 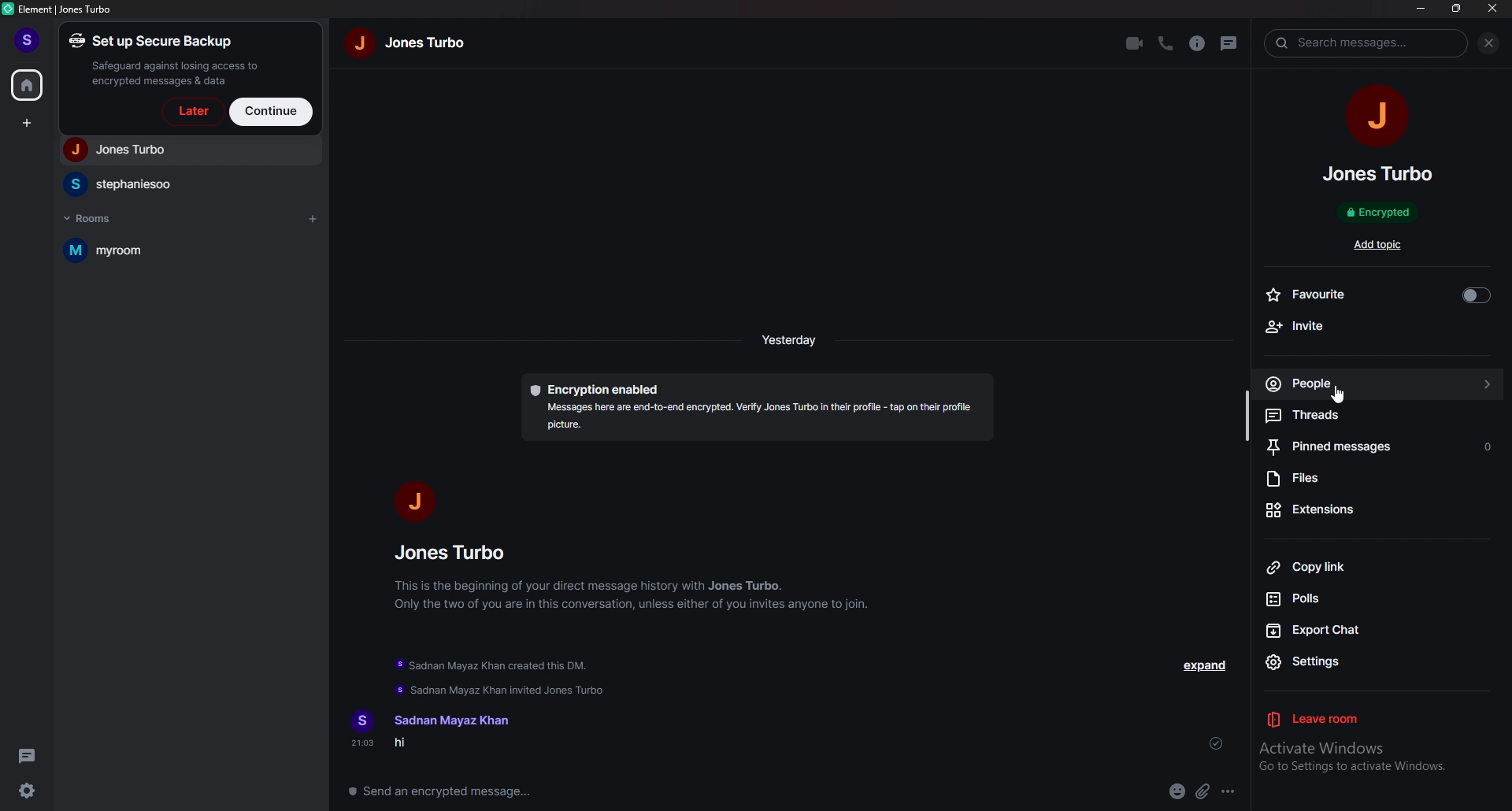 What do you see at coordinates (1164, 44) in the screenshot?
I see `voice call` at bounding box center [1164, 44].